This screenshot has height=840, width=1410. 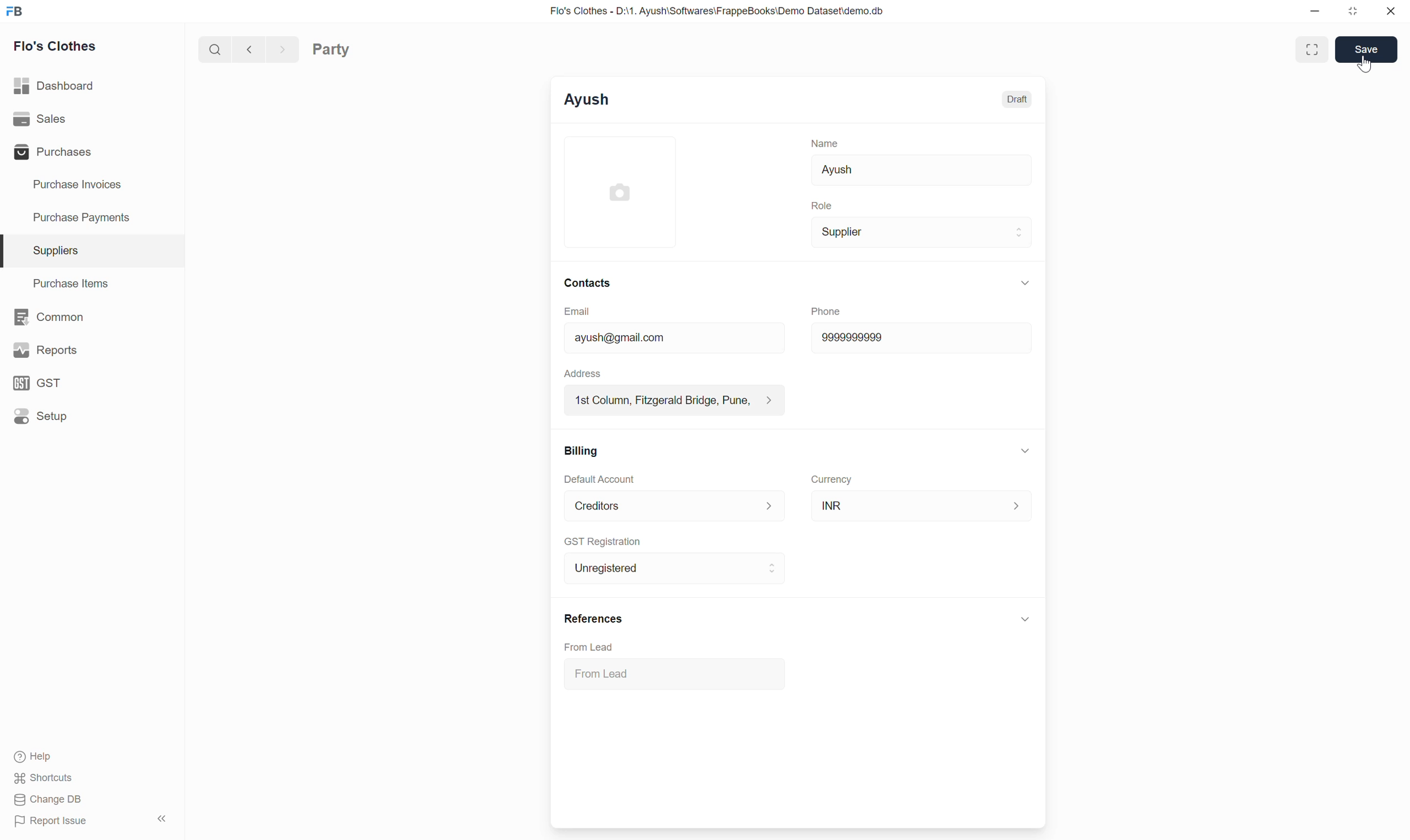 I want to click on Collapse, so click(x=1025, y=283).